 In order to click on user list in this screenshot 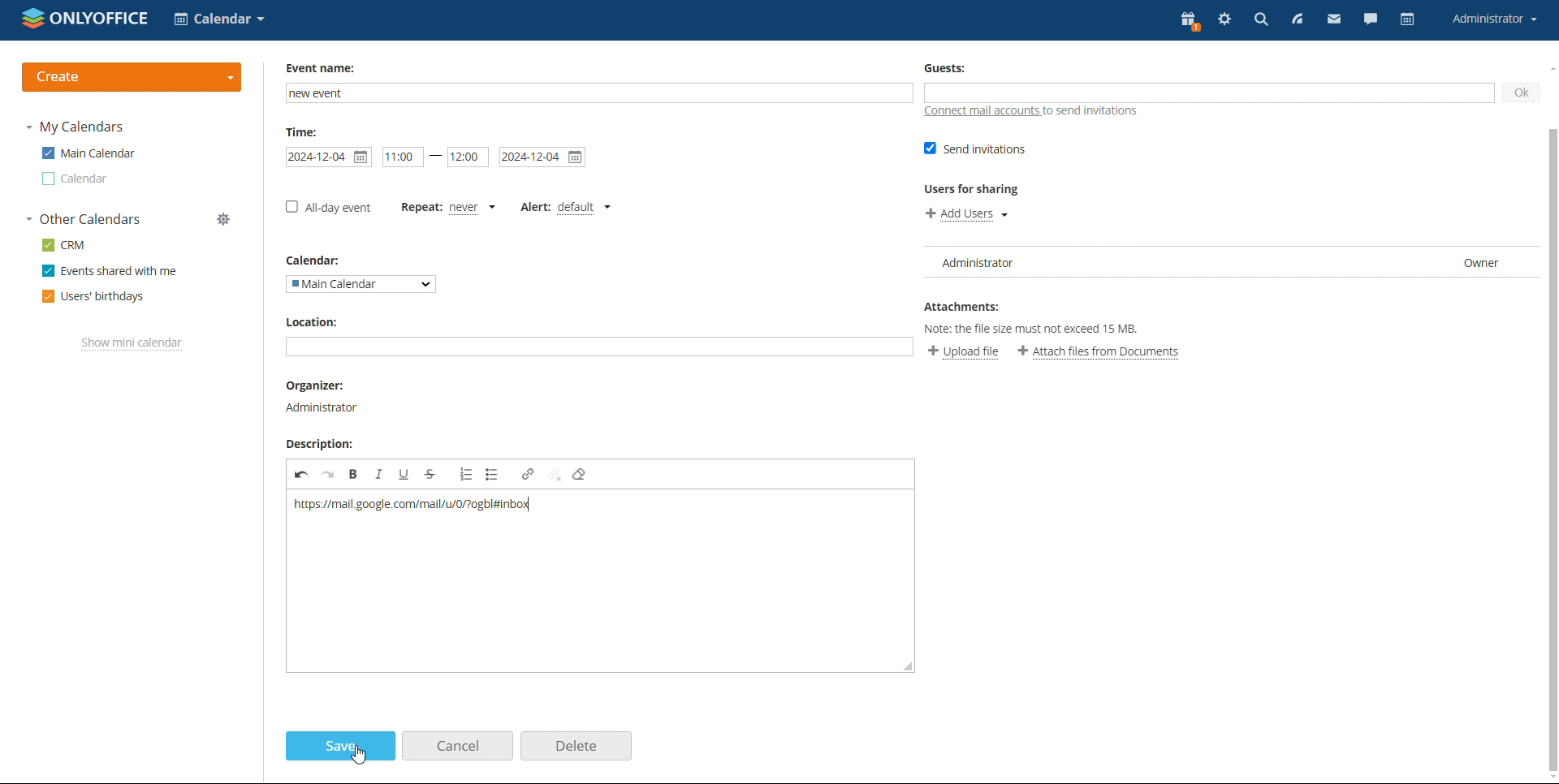, I will do `click(1224, 259)`.